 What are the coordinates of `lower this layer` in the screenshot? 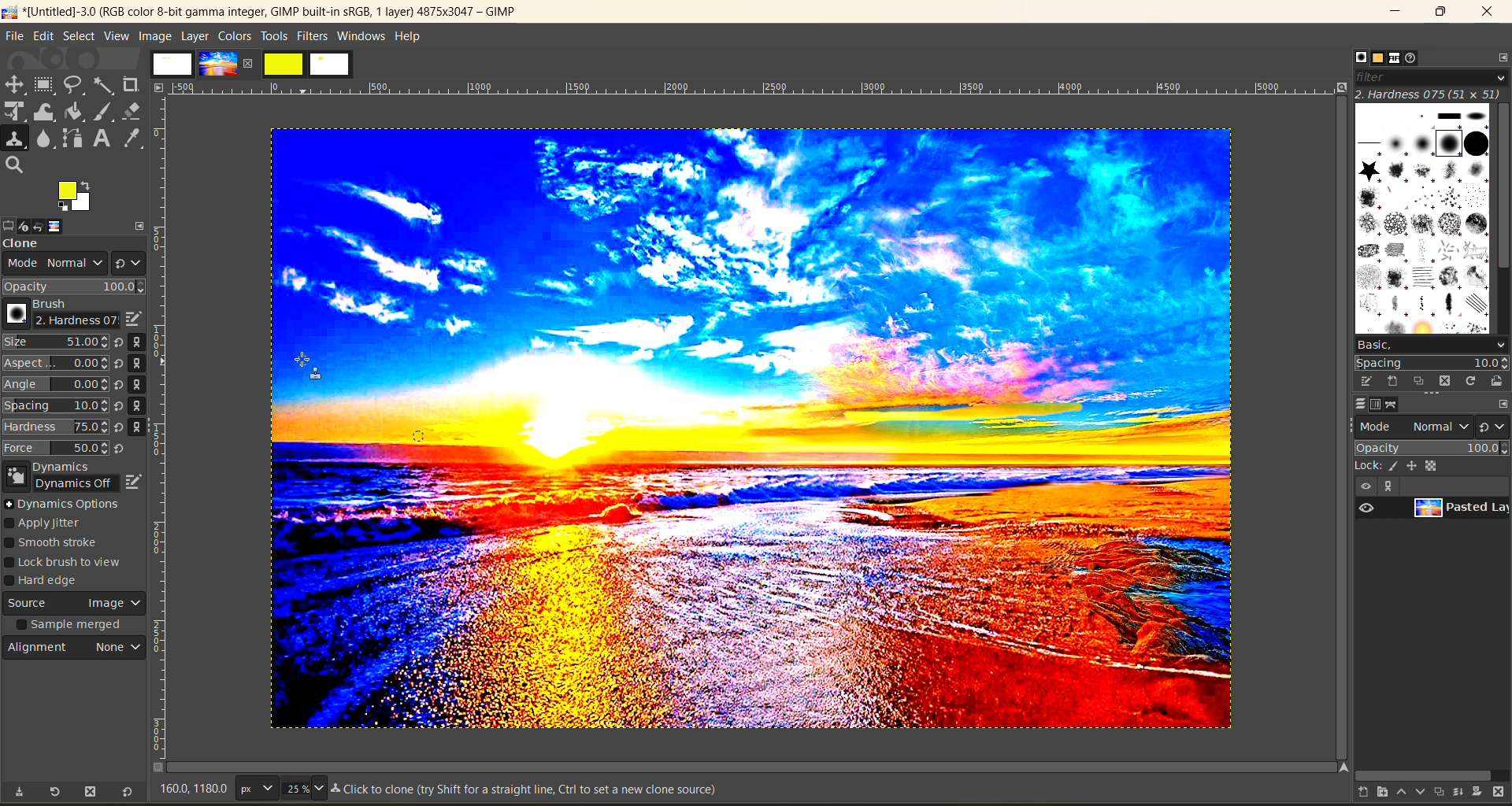 It's located at (1416, 793).